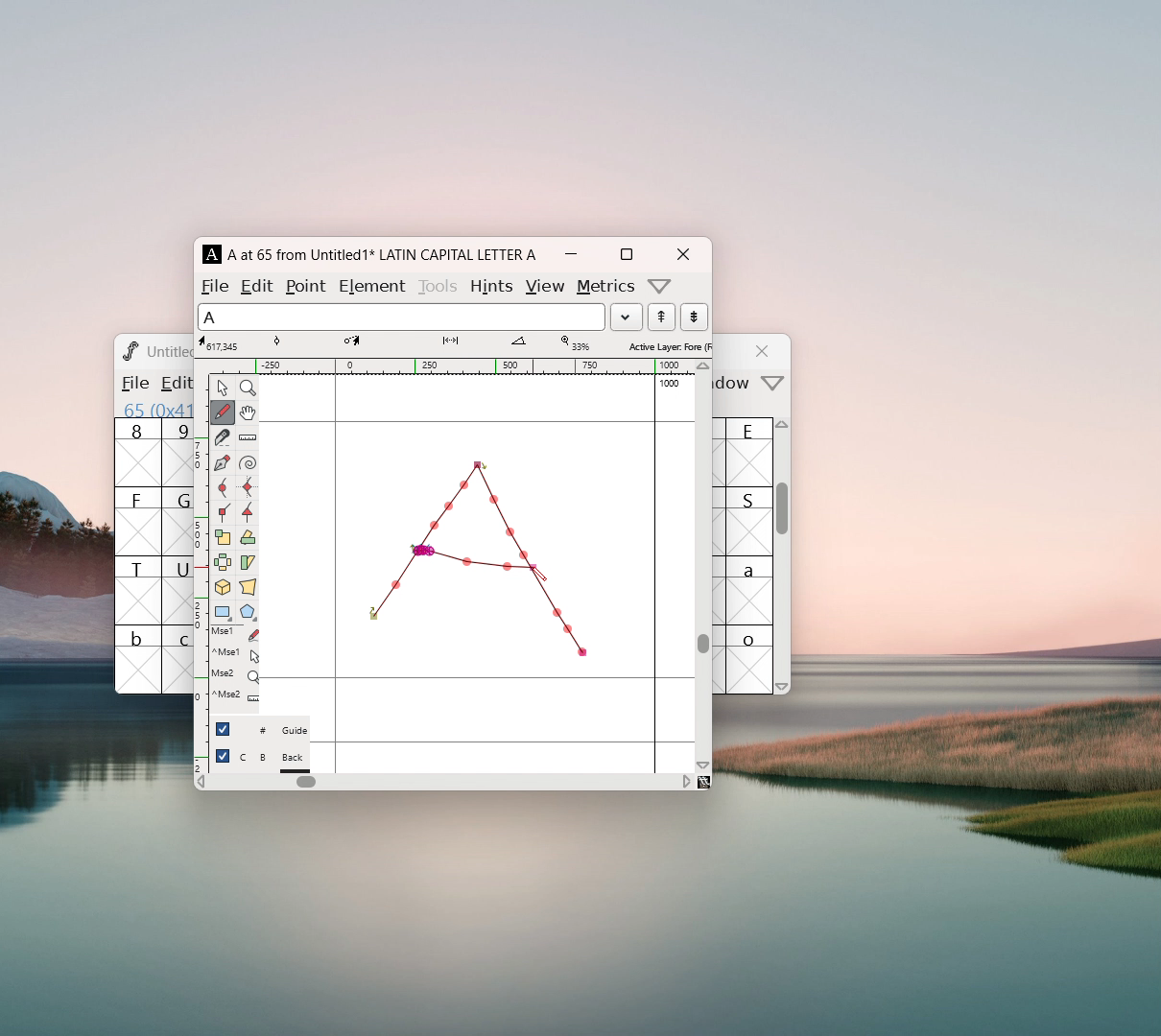  Describe the element at coordinates (129, 350) in the screenshot. I see `logo` at that location.